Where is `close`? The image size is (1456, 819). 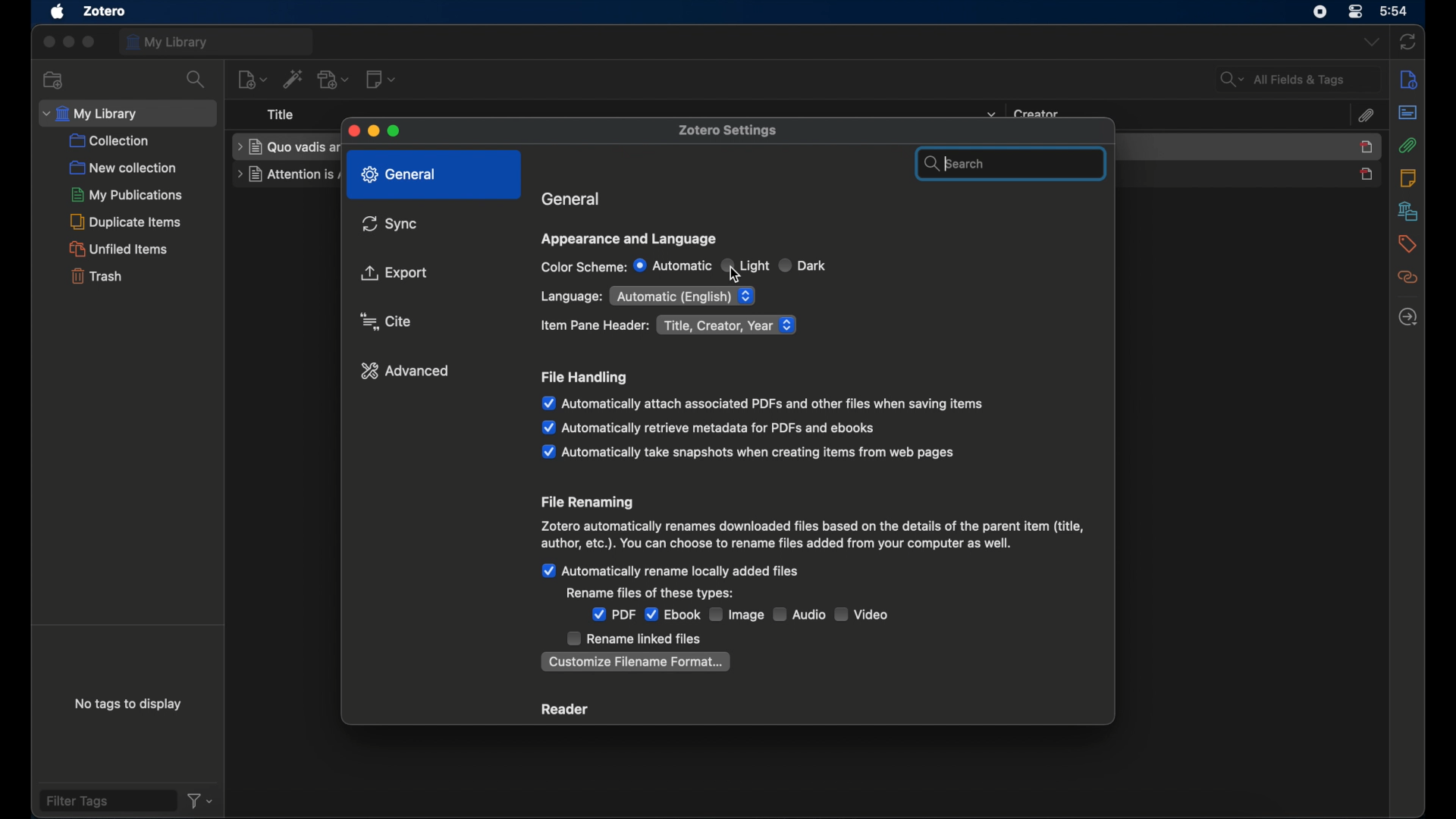 close is located at coordinates (47, 41).